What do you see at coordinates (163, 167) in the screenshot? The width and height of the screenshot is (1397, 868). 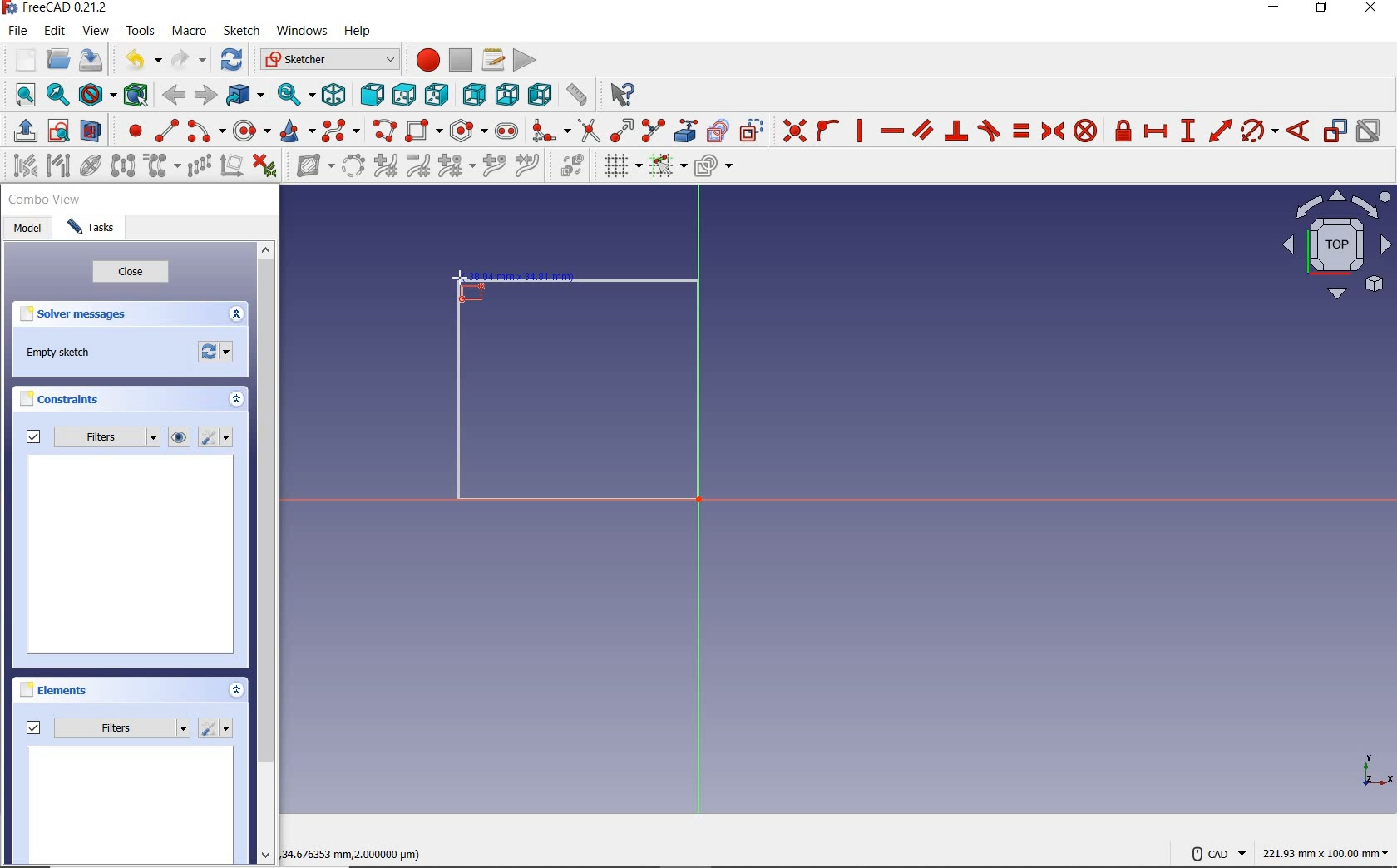 I see `clone` at bounding box center [163, 167].